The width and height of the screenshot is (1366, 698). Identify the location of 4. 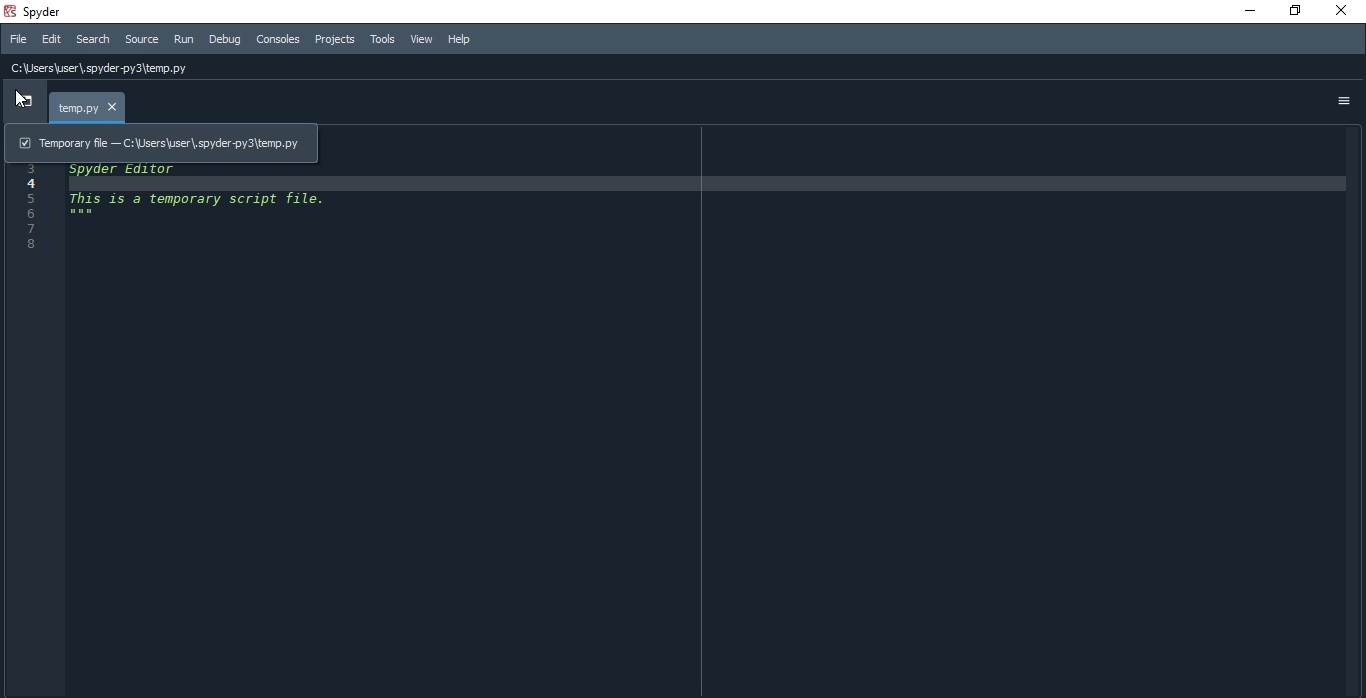
(31, 184).